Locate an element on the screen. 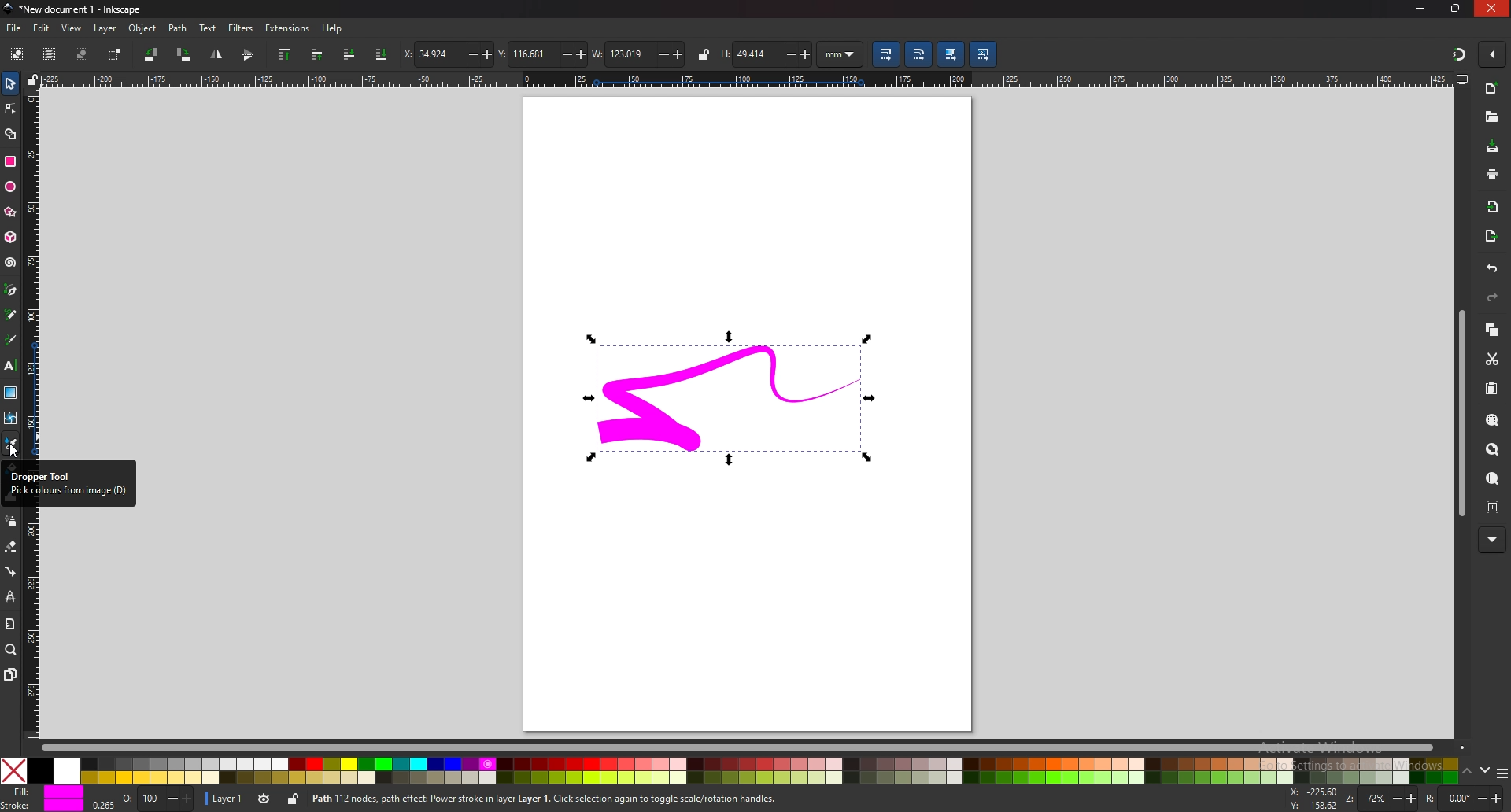 This screenshot has width=1511, height=812. zoom is located at coordinates (1382, 799).